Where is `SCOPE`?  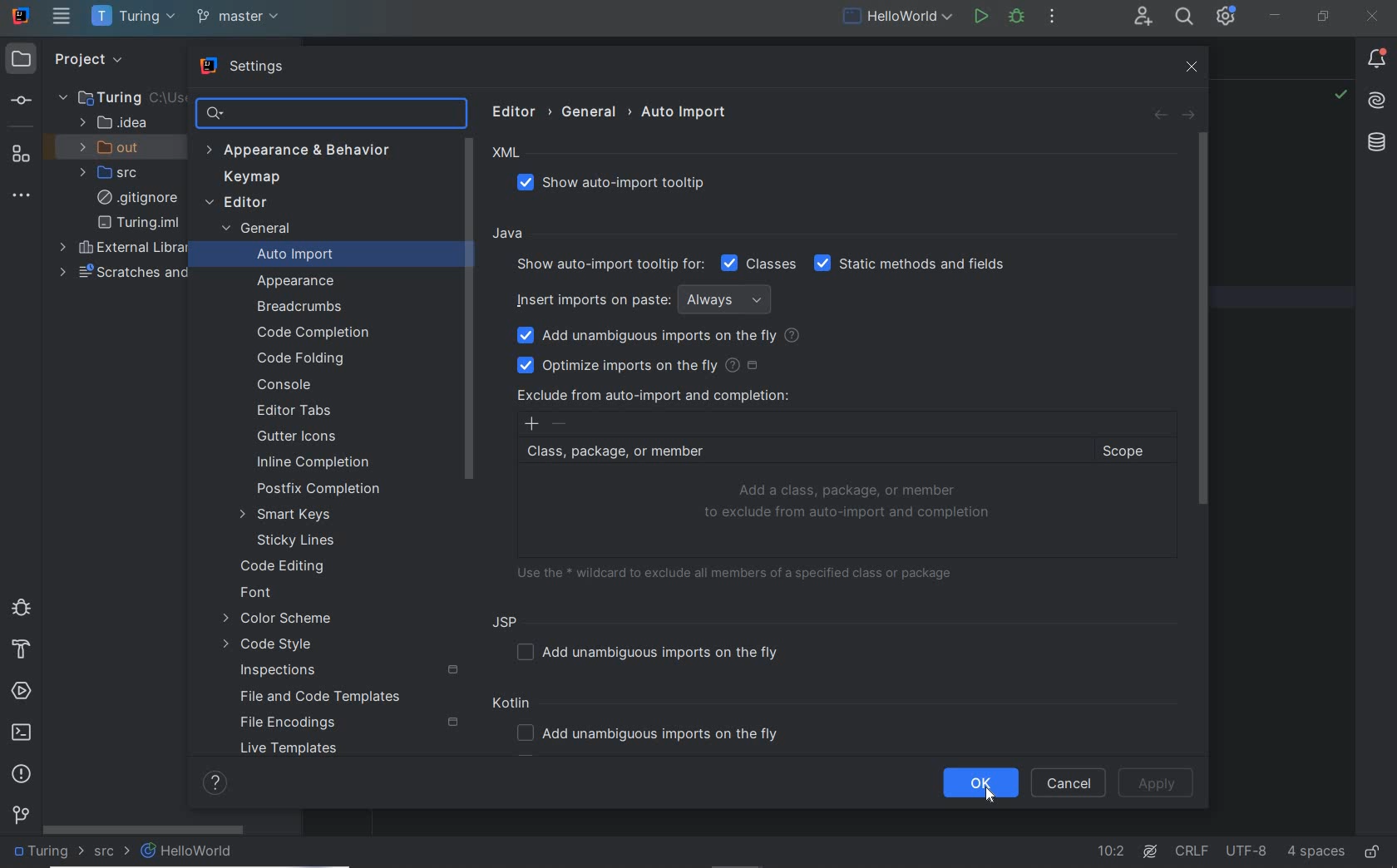 SCOPE is located at coordinates (1131, 451).